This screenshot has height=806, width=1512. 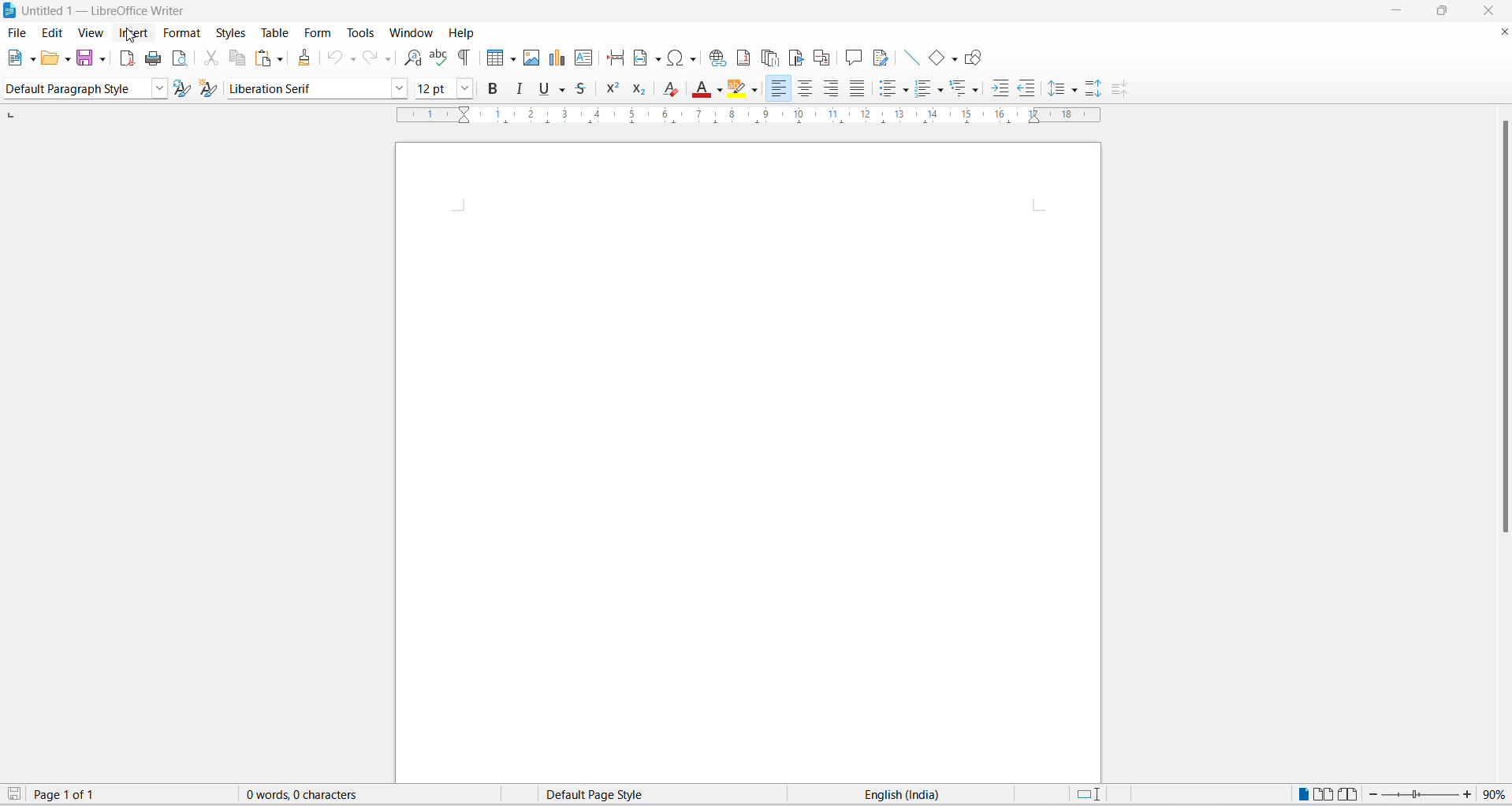 I want to click on single page view, so click(x=1301, y=794).